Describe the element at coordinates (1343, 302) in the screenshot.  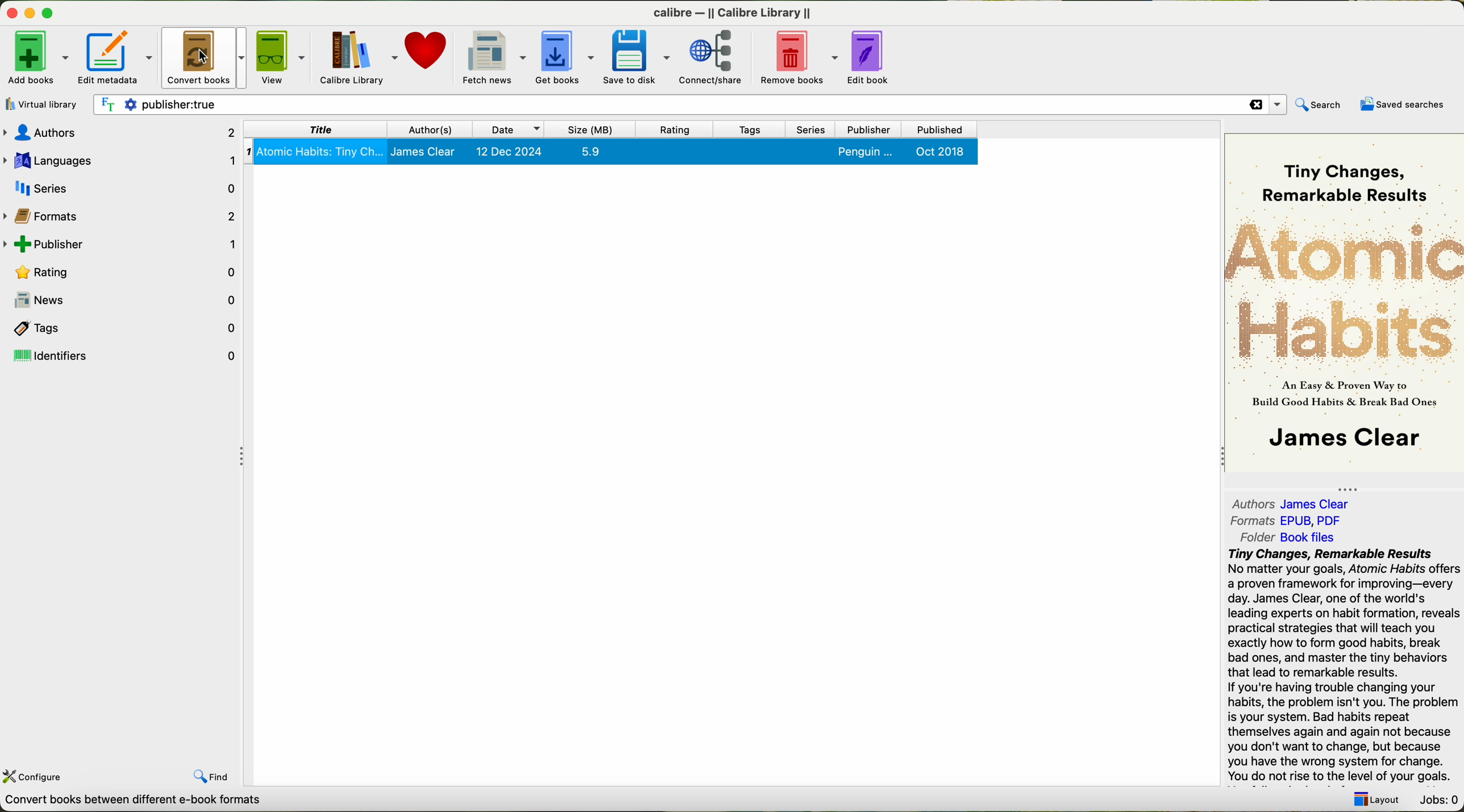
I see `book cover preview` at that location.